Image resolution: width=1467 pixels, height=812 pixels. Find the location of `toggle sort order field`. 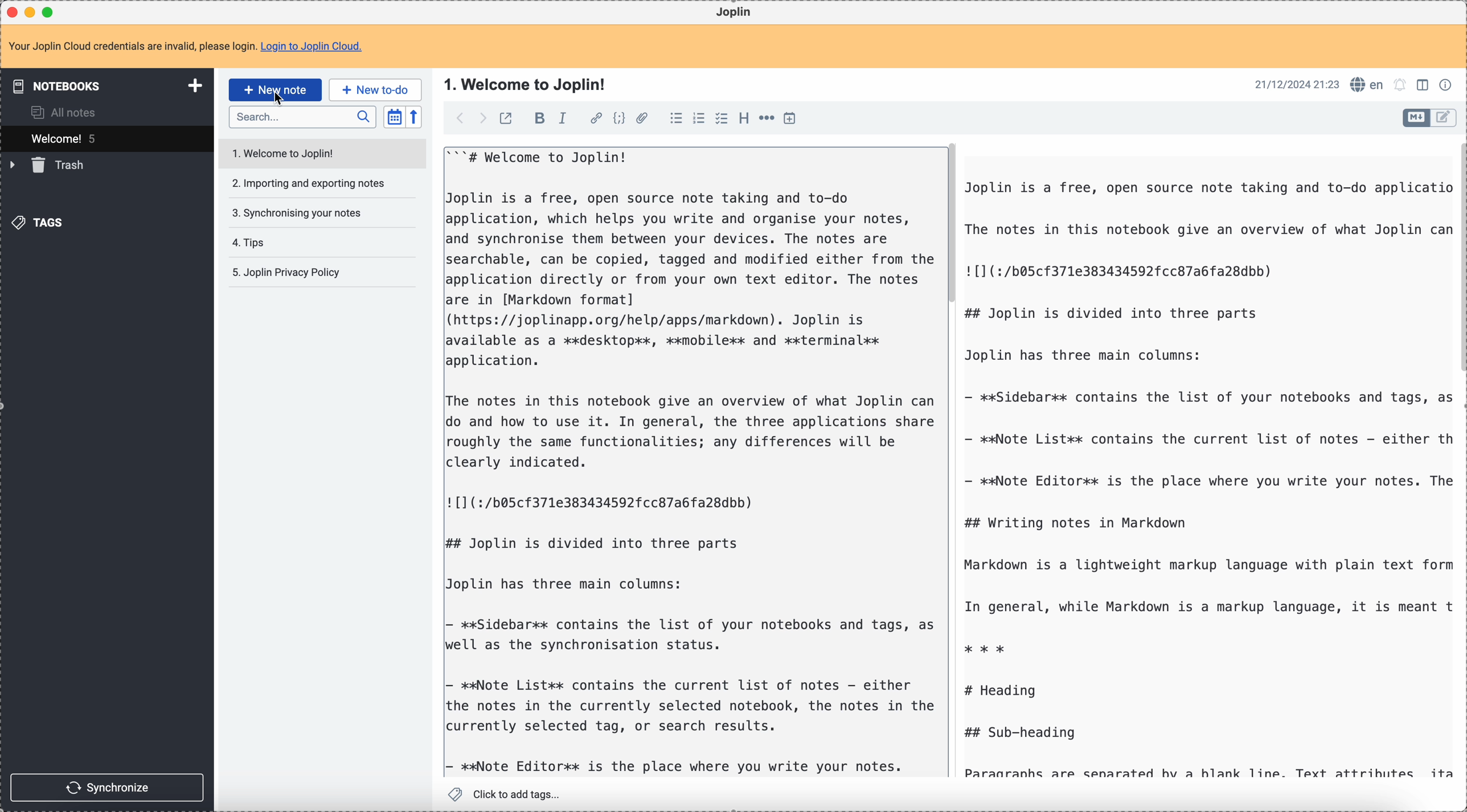

toggle sort order field is located at coordinates (394, 117).